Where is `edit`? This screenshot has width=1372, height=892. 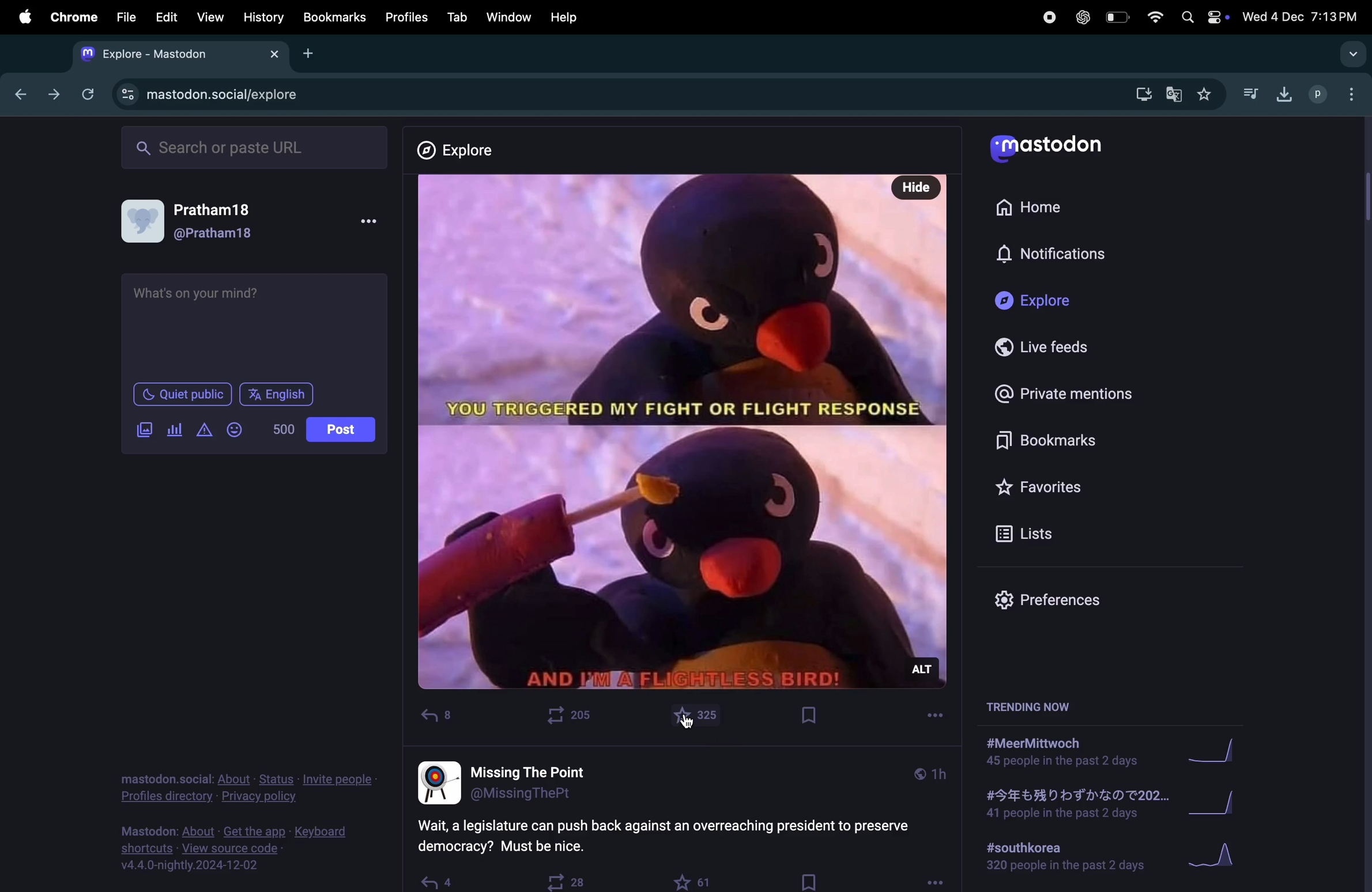
edit is located at coordinates (168, 17).